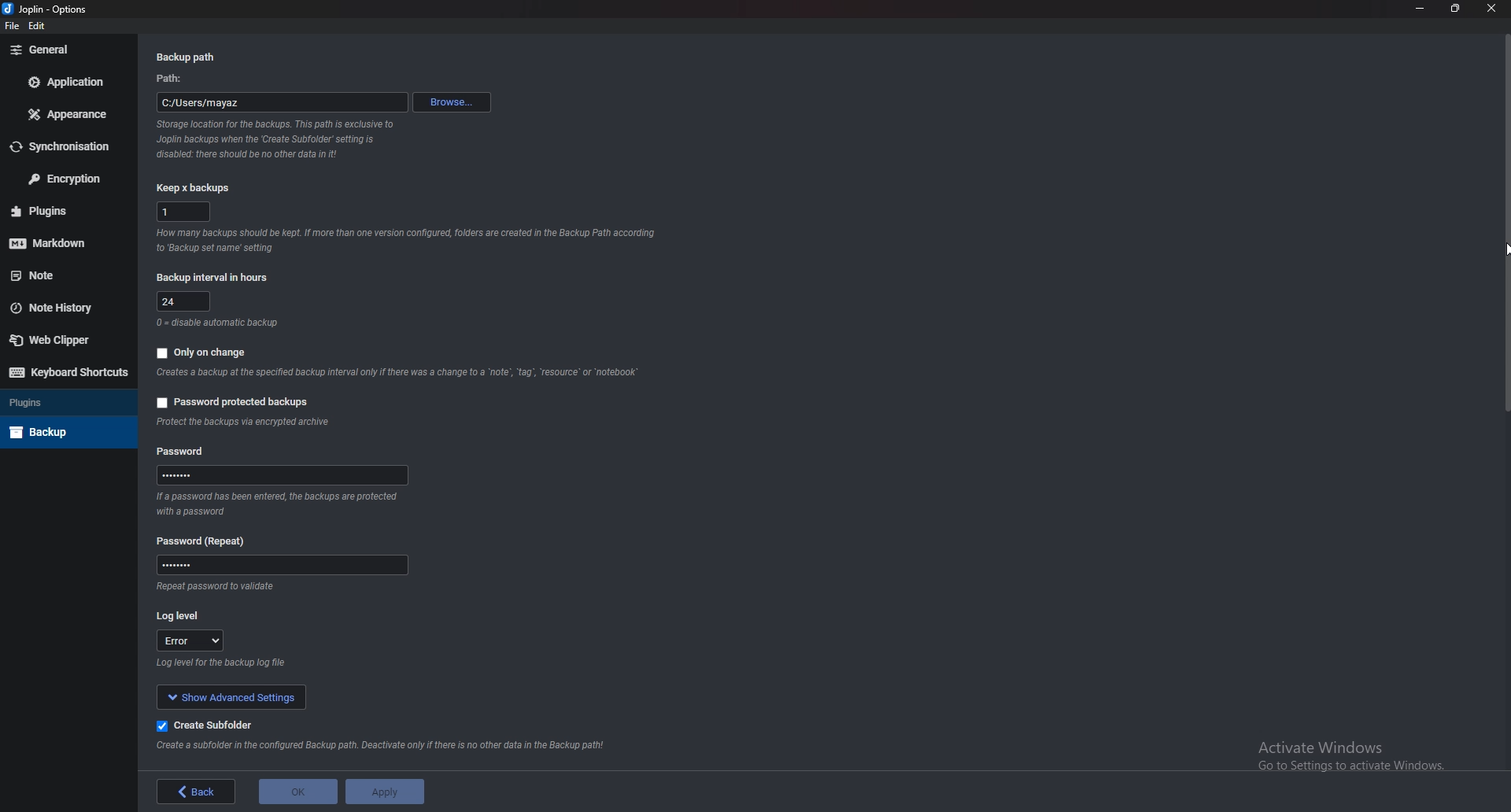  Describe the element at coordinates (65, 403) in the screenshot. I see `Plugins` at that location.